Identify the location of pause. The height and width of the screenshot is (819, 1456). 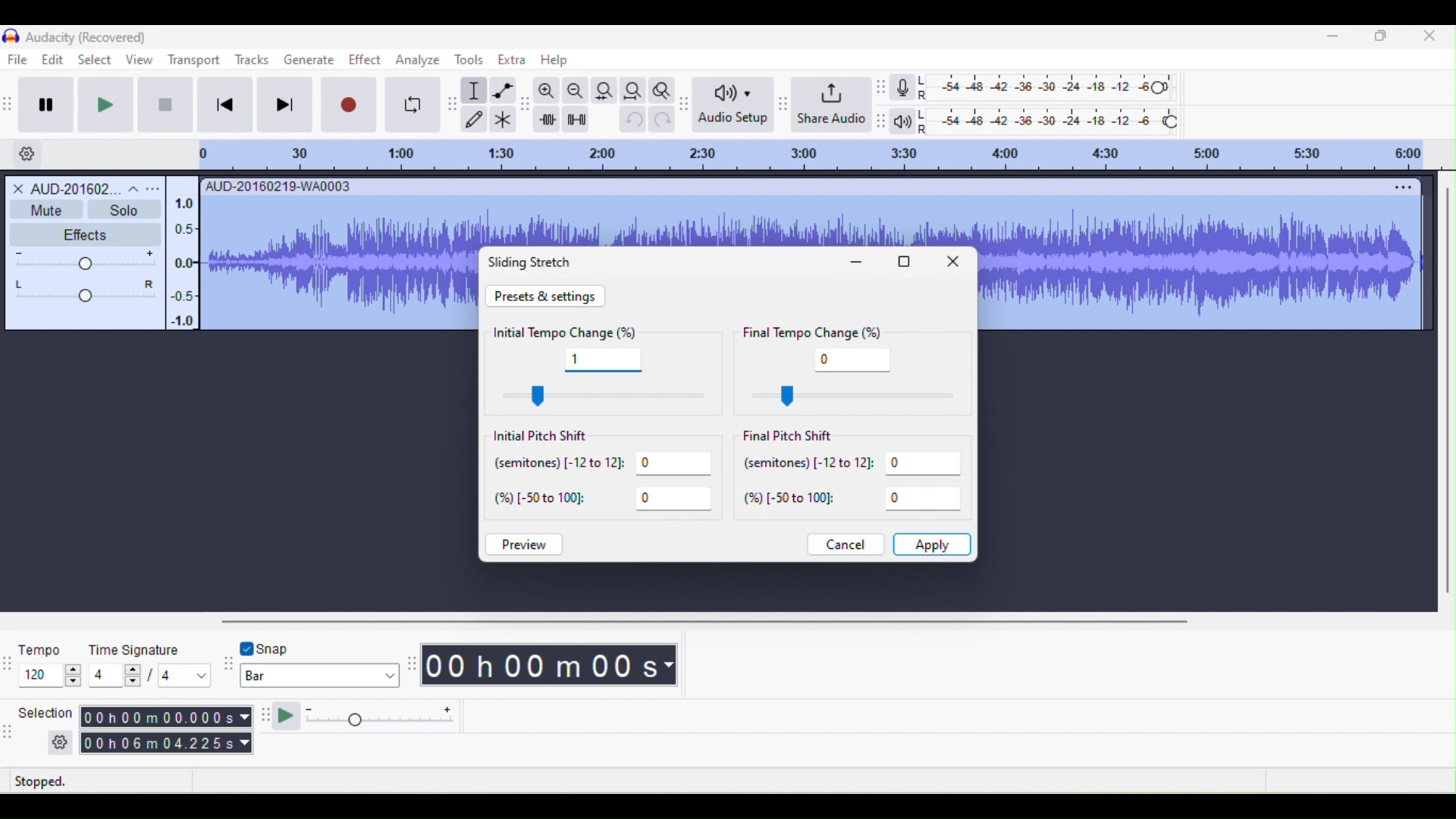
(51, 102).